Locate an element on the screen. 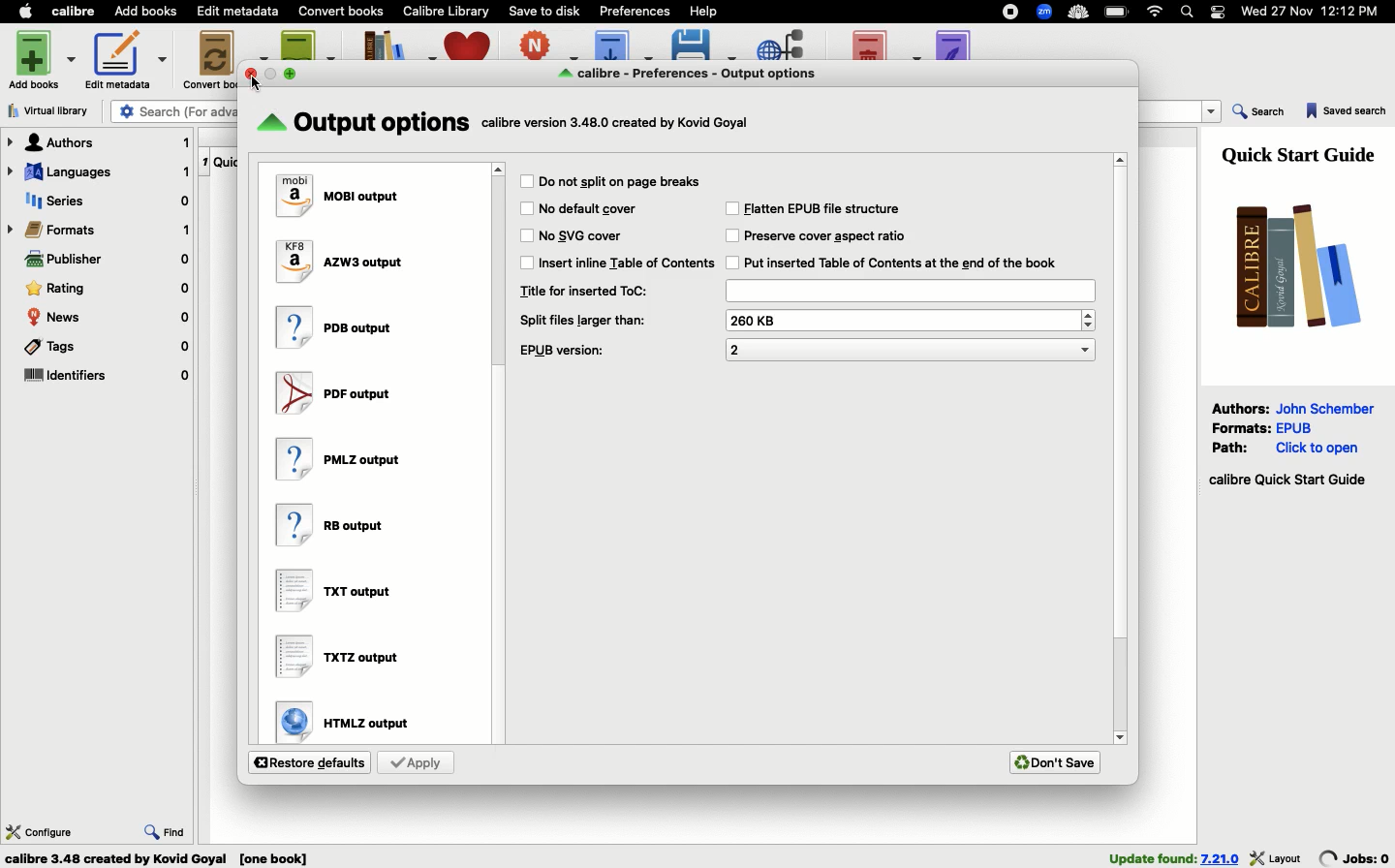  No SVG cover is located at coordinates (584, 233).